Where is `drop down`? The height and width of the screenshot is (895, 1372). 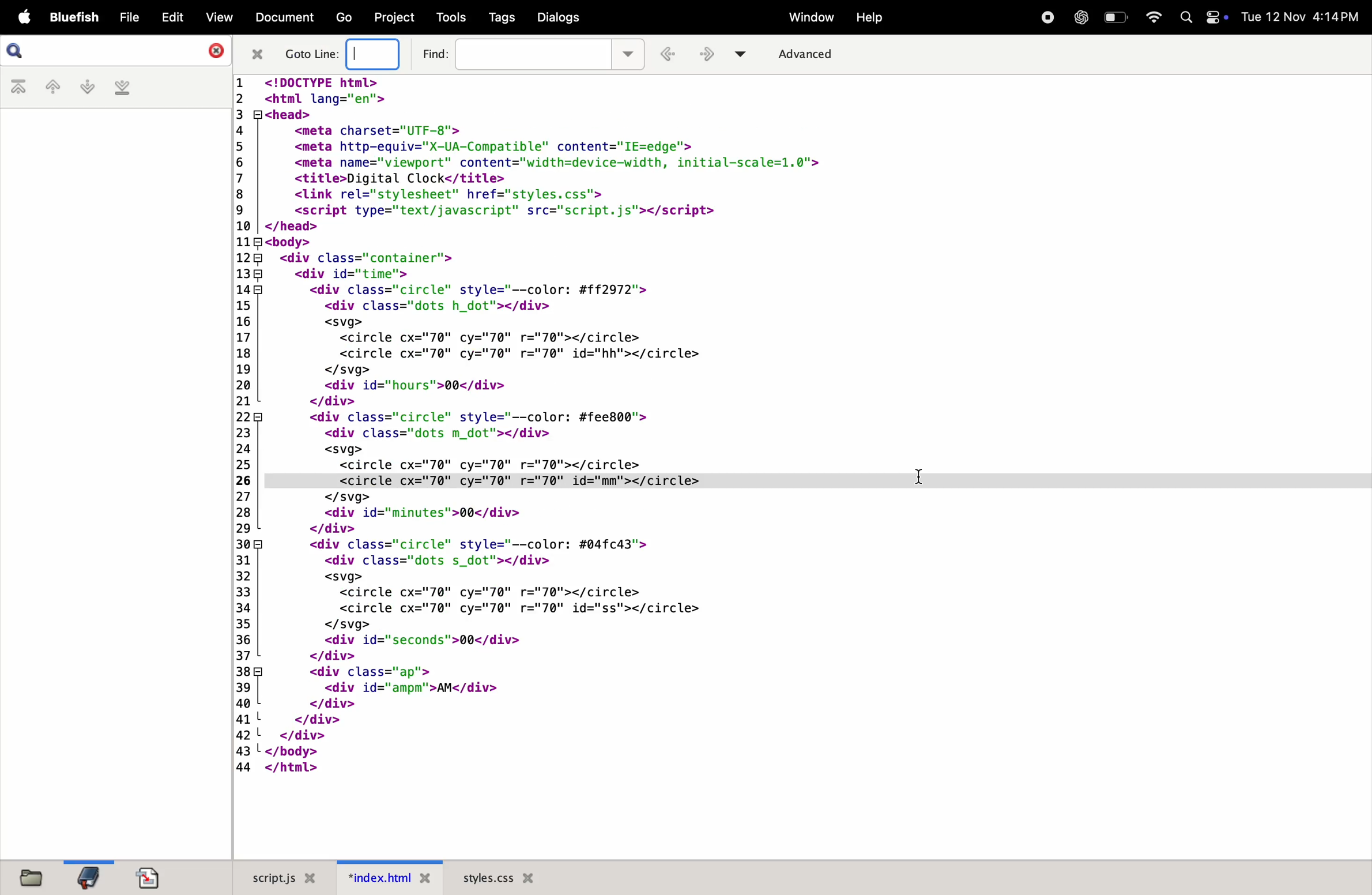 drop down is located at coordinates (745, 53).